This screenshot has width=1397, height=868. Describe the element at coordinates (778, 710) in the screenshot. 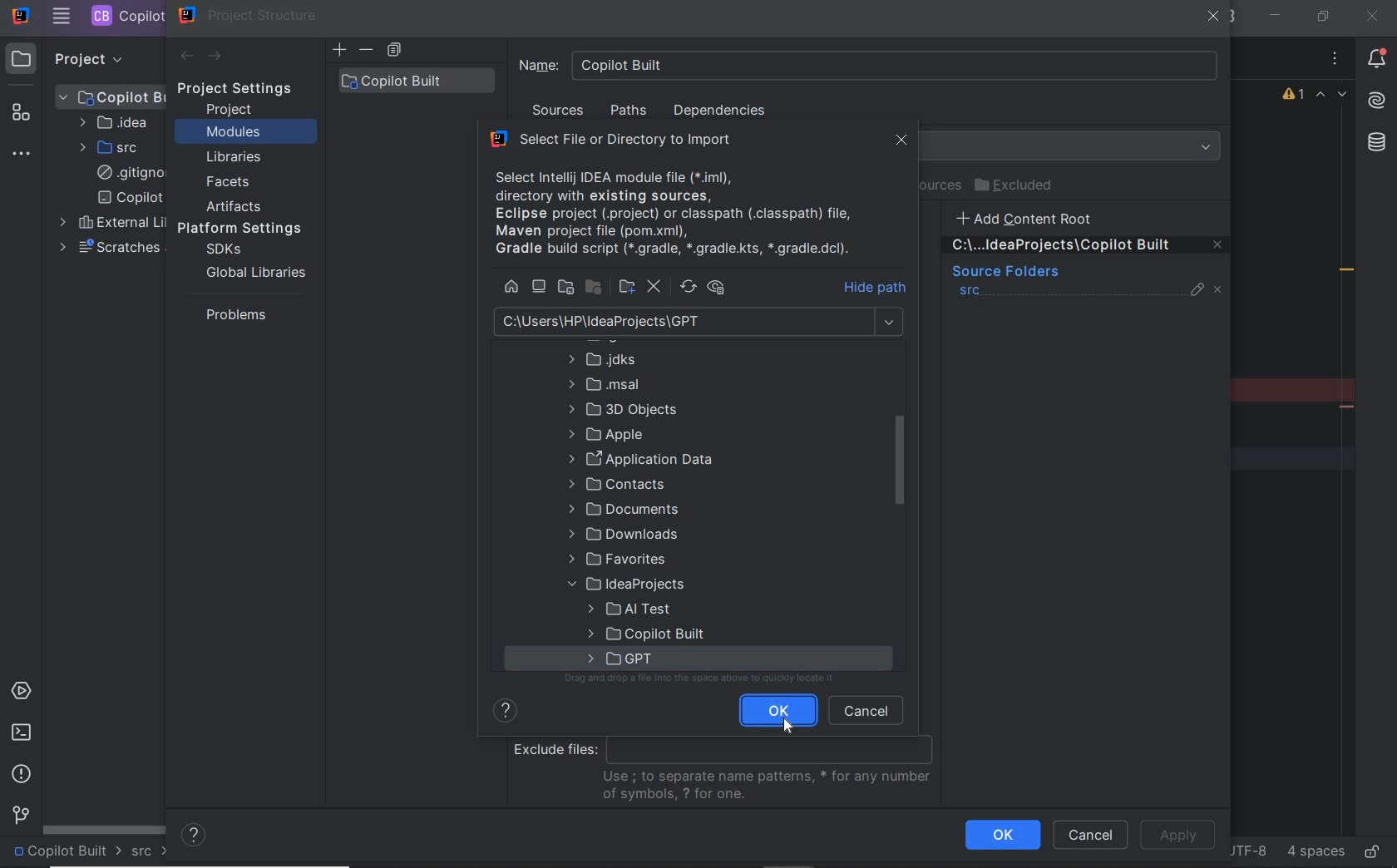

I see `ok` at that location.